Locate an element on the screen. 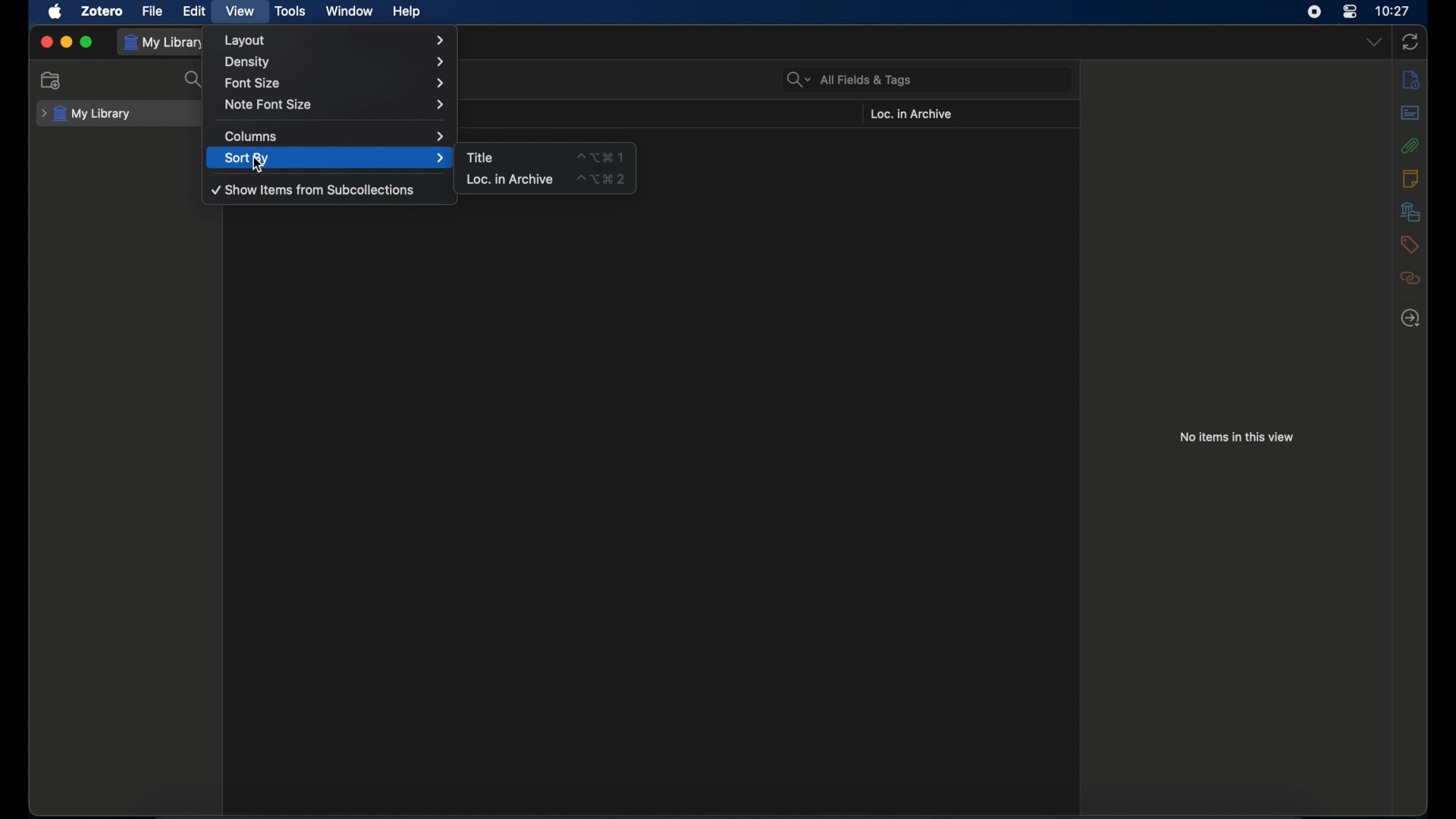 The height and width of the screenshot is (819, 1456). edit is located at coordinates (196, 11).